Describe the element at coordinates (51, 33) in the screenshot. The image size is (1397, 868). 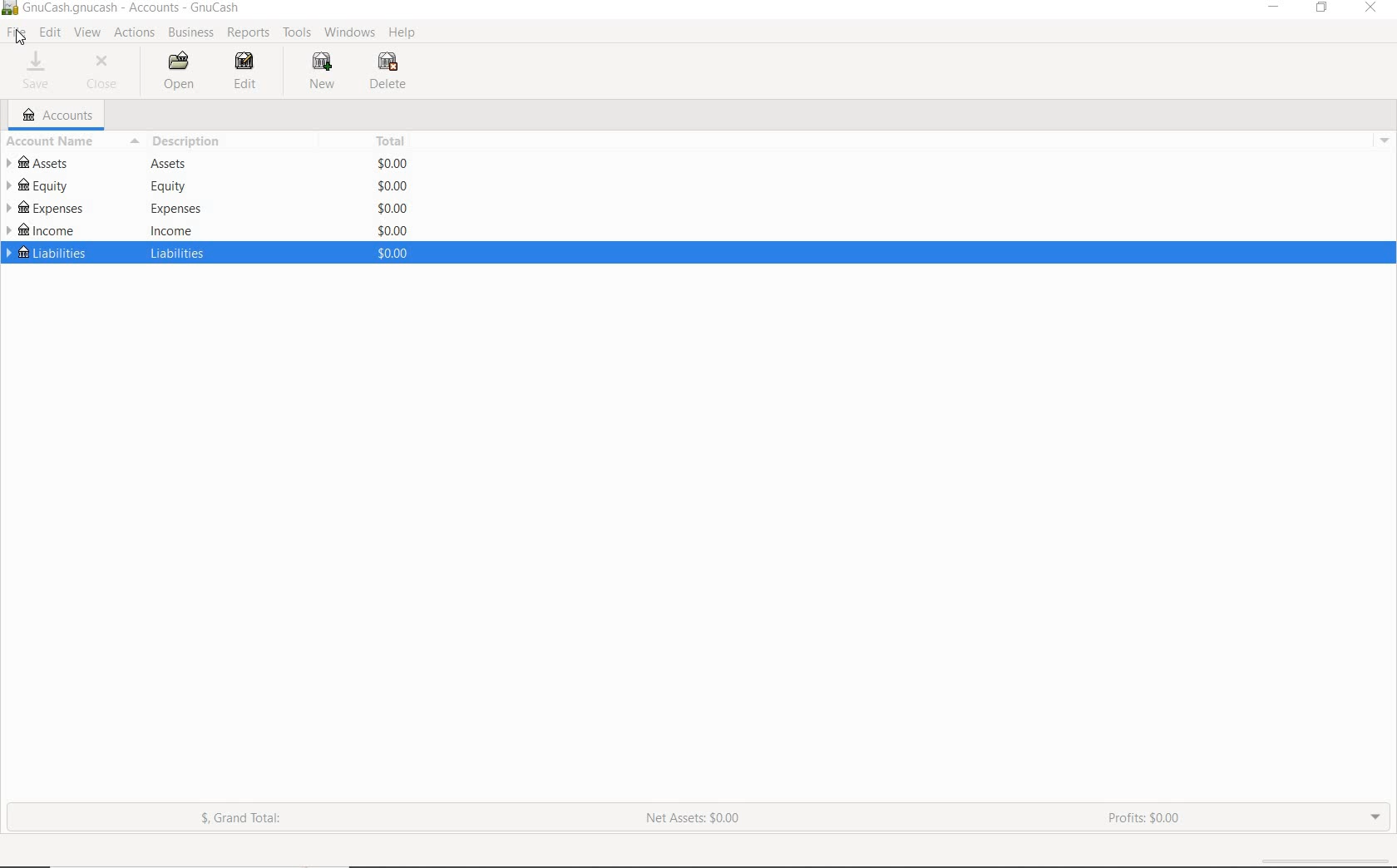
I see `EDIT` at that location.